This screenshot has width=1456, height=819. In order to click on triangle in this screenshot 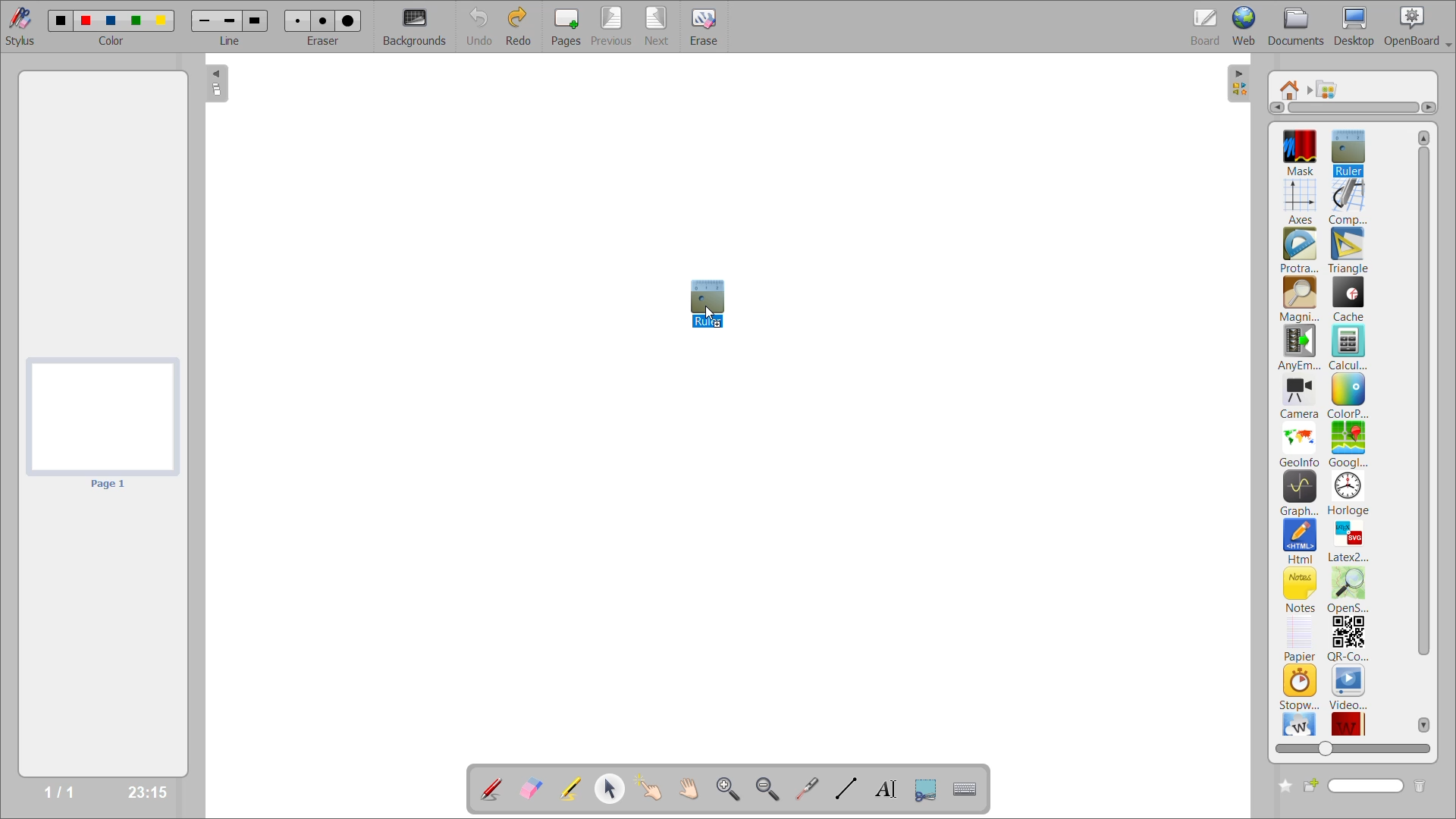, I will do `click(1348, 251)`.